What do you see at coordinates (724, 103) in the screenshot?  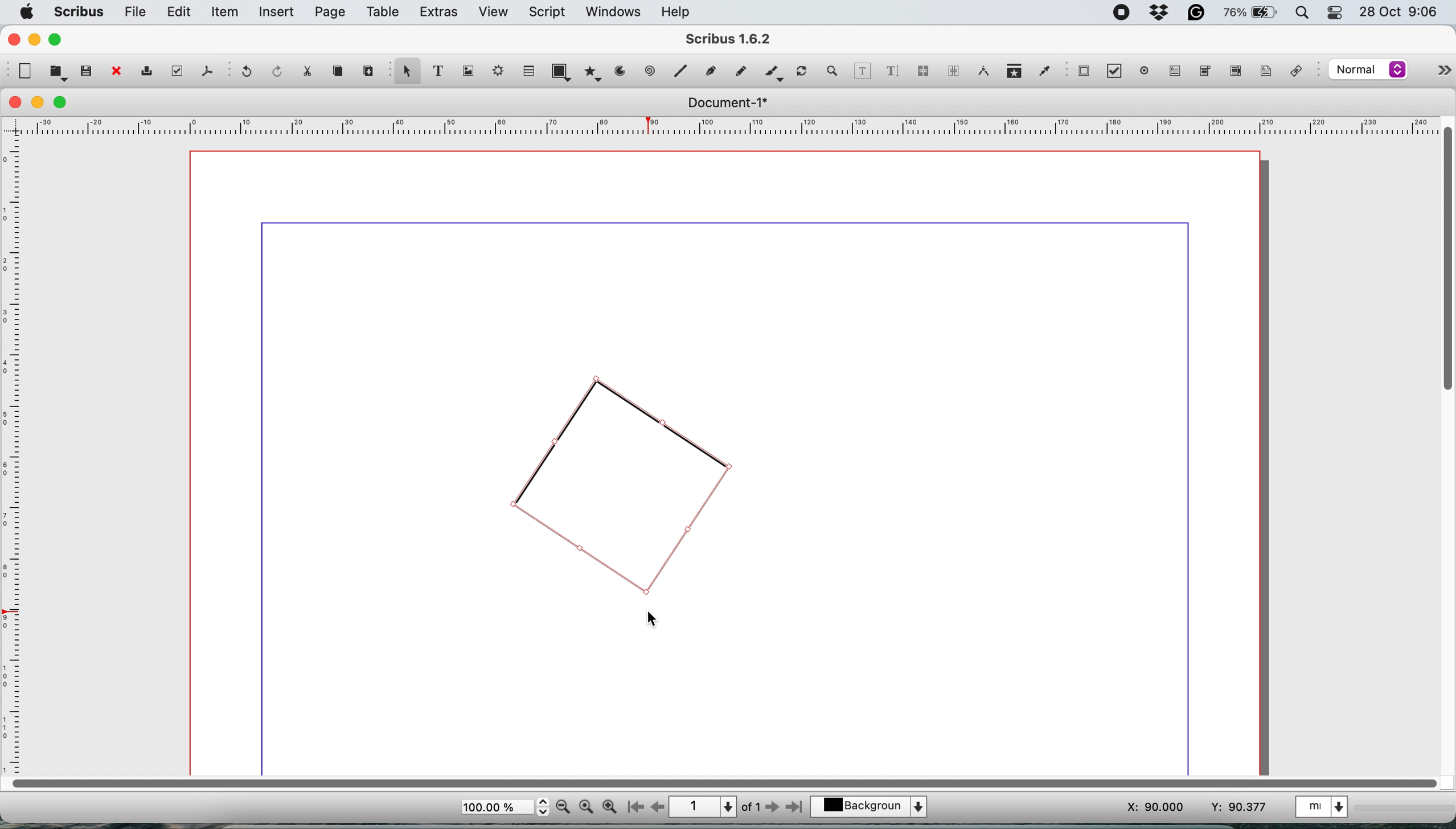 I see `document-1*` at bounding box center [724, 103].